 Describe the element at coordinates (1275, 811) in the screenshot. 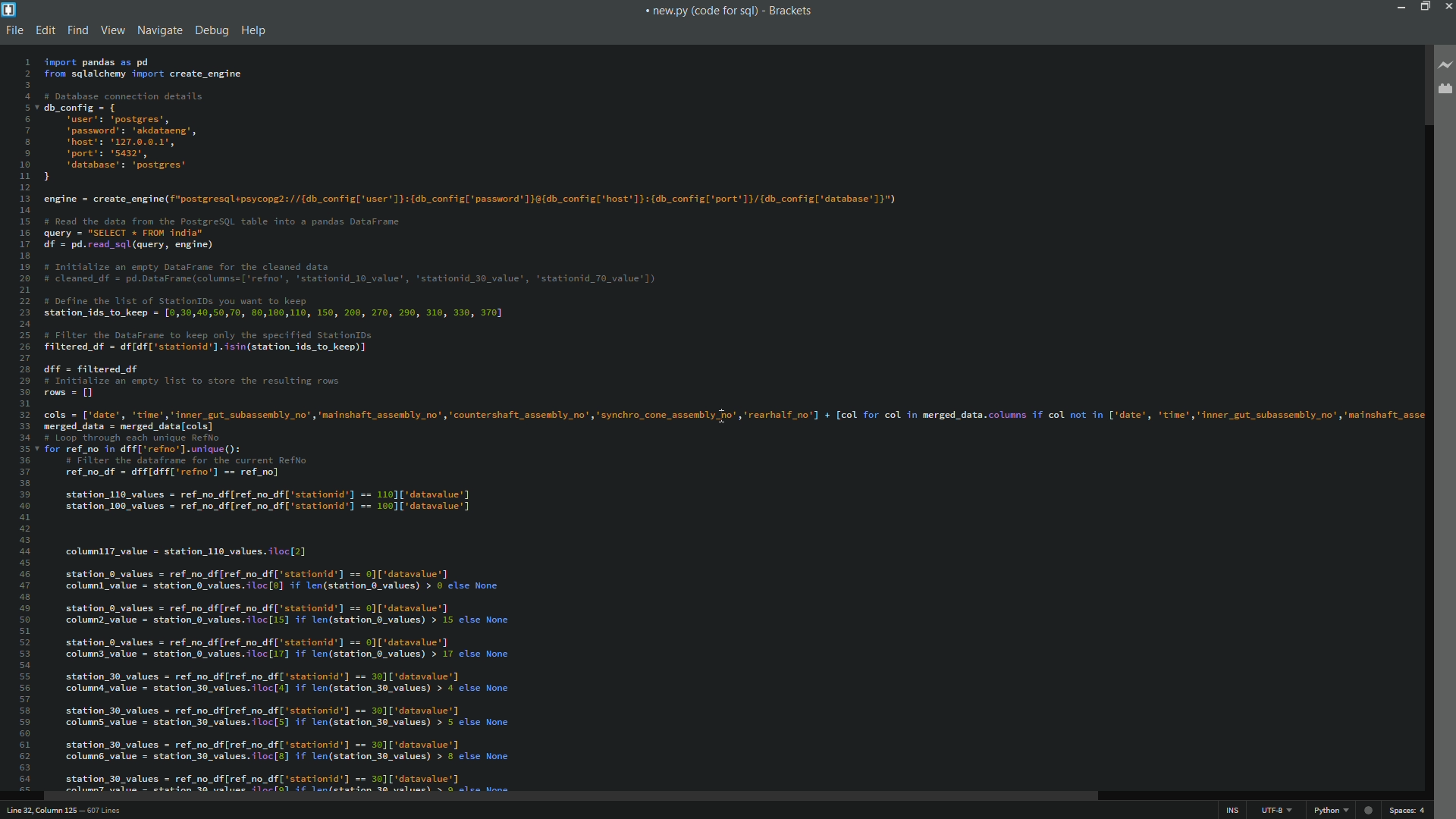

I see `file encoding` at that location.